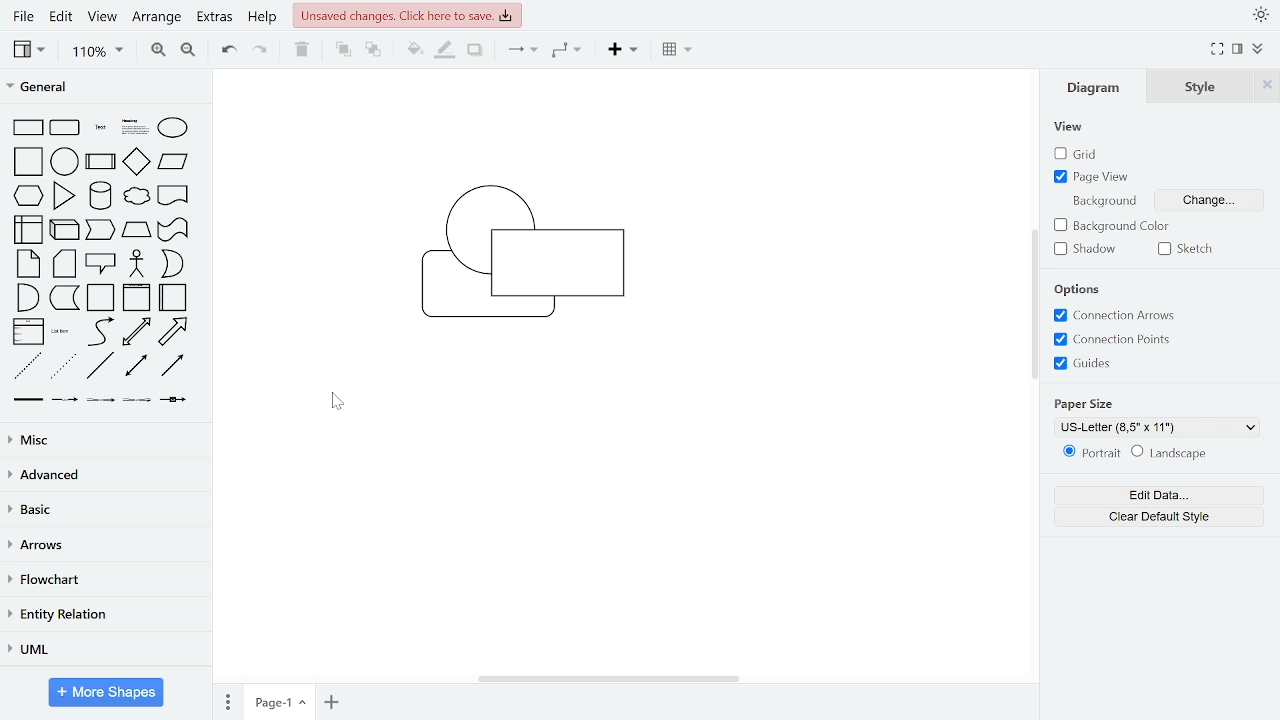 The image size is (1280, 720). I want to click on hexagon, so click(28, 196).